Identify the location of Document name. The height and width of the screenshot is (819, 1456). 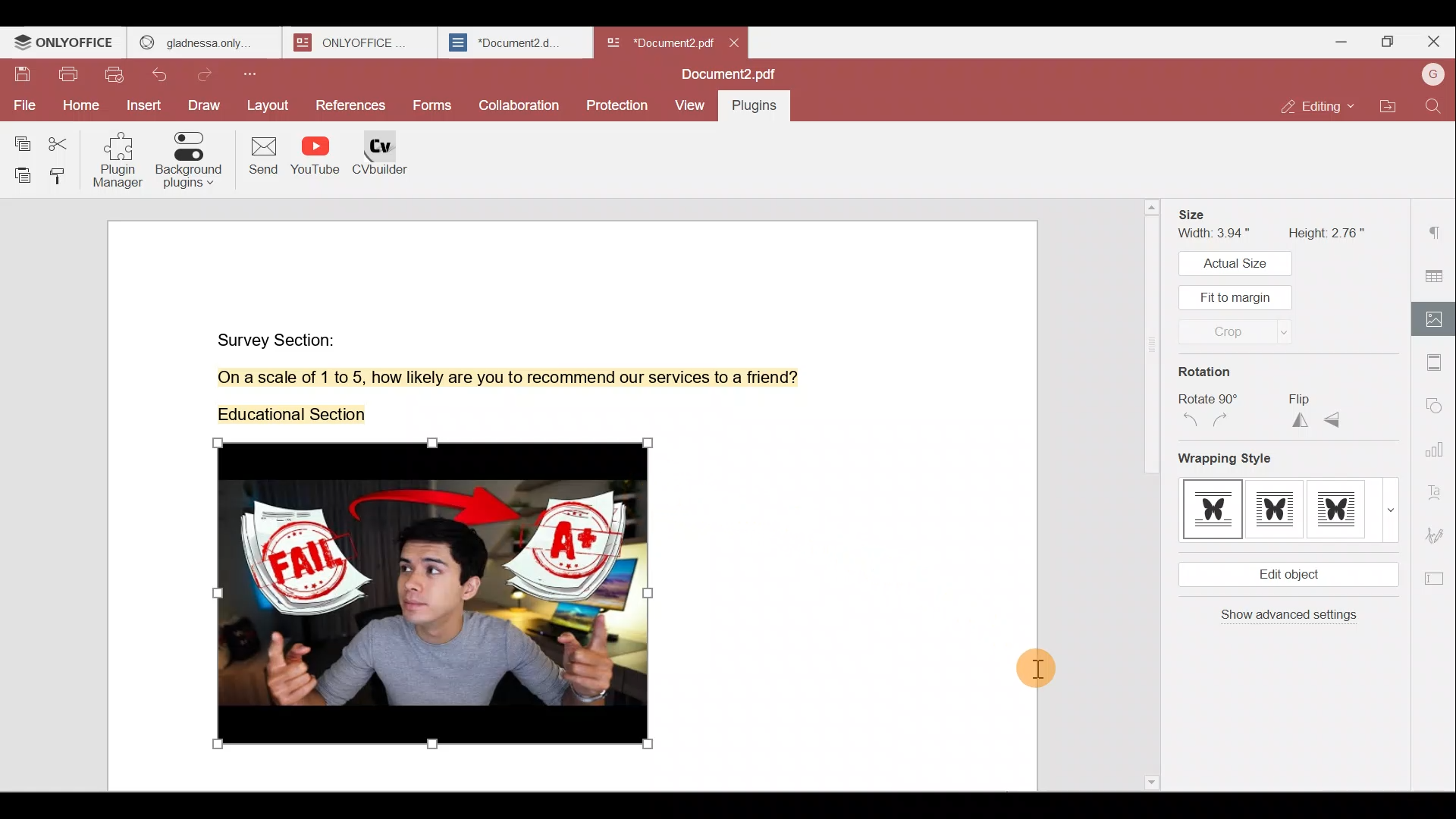
(733, 76).